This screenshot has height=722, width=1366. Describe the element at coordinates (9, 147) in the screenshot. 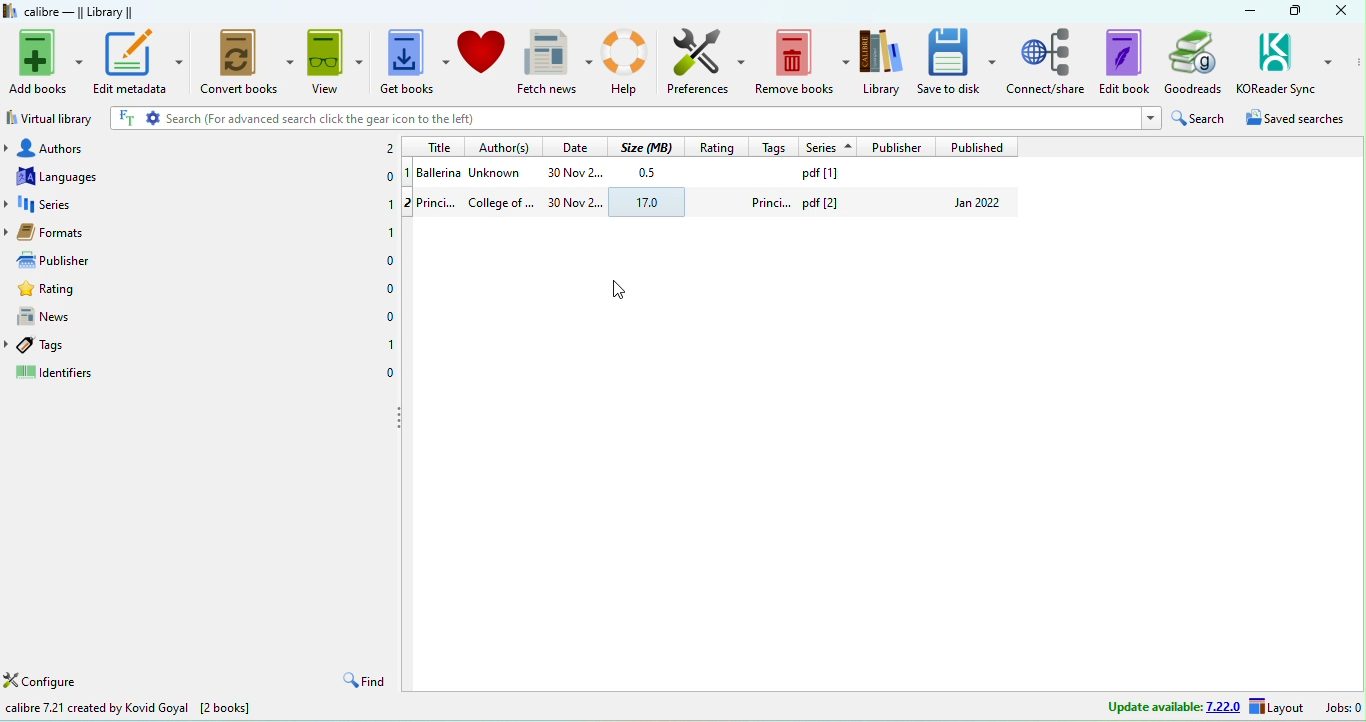

I see `drop down` at that location.